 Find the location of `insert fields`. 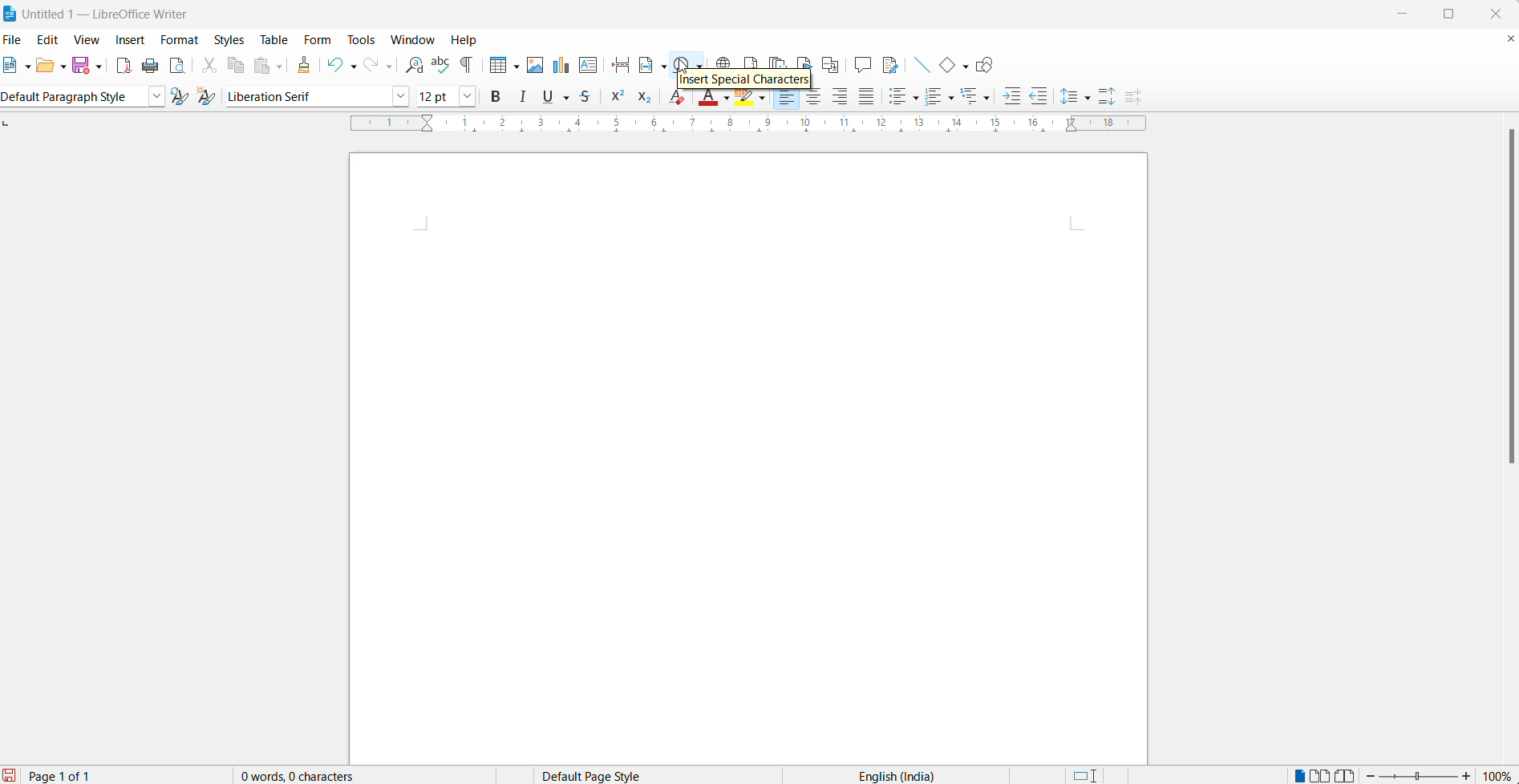

insert fields is located at coordinates (663, 67).